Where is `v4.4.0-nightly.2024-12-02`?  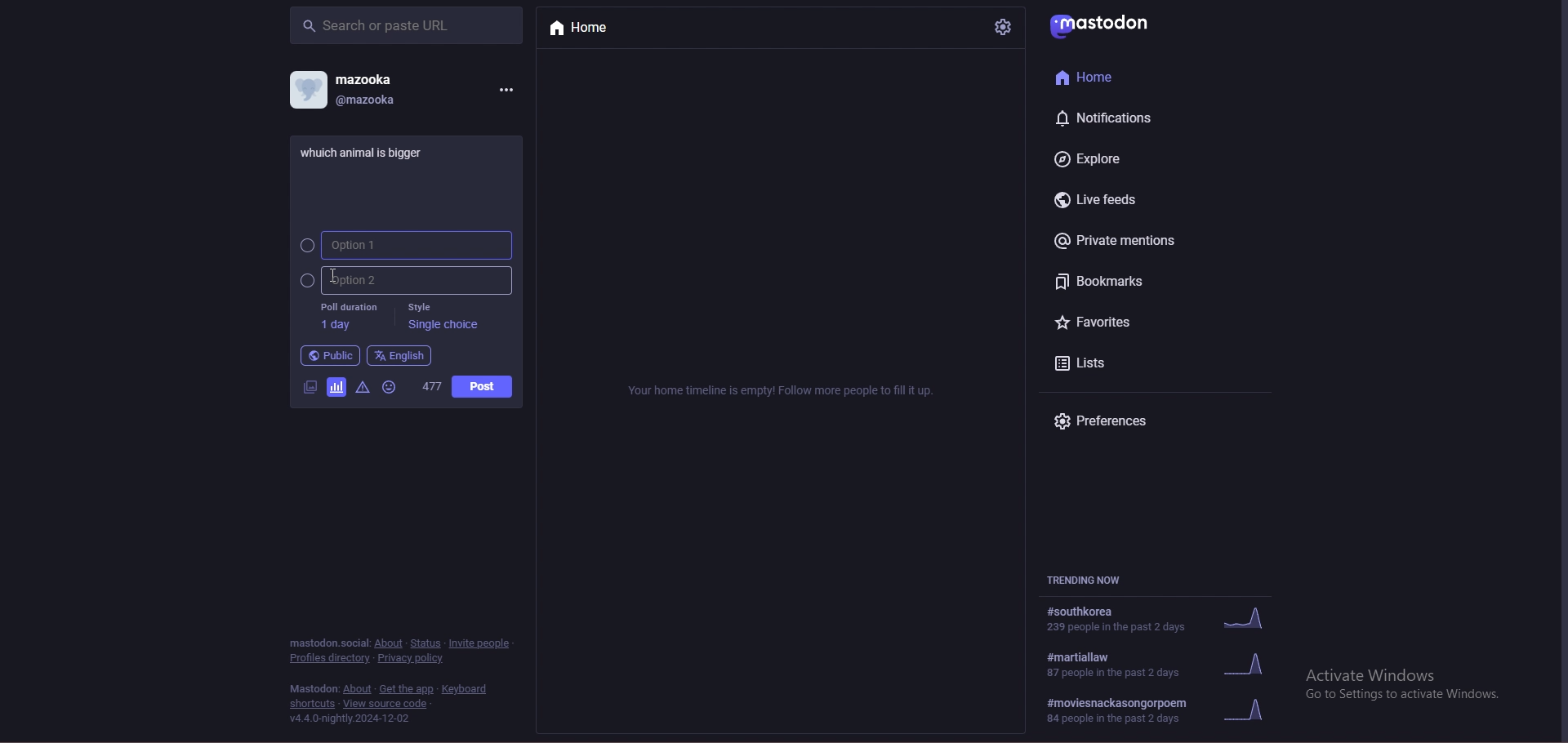 v4.4.0-nightly.2024-12-02 is located at coordinates (350, 719).